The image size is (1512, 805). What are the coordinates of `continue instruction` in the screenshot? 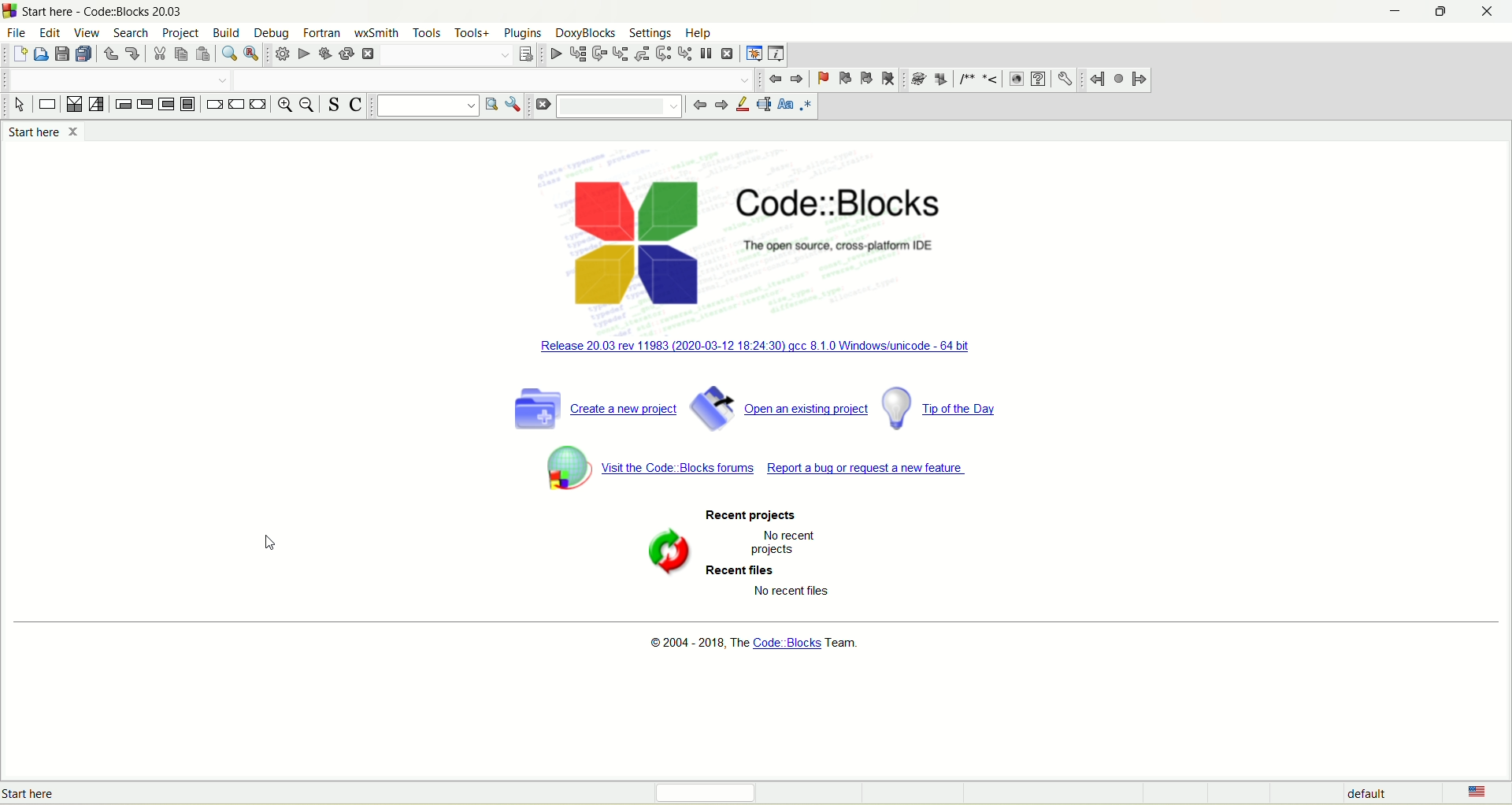 It's located at (237, 106).